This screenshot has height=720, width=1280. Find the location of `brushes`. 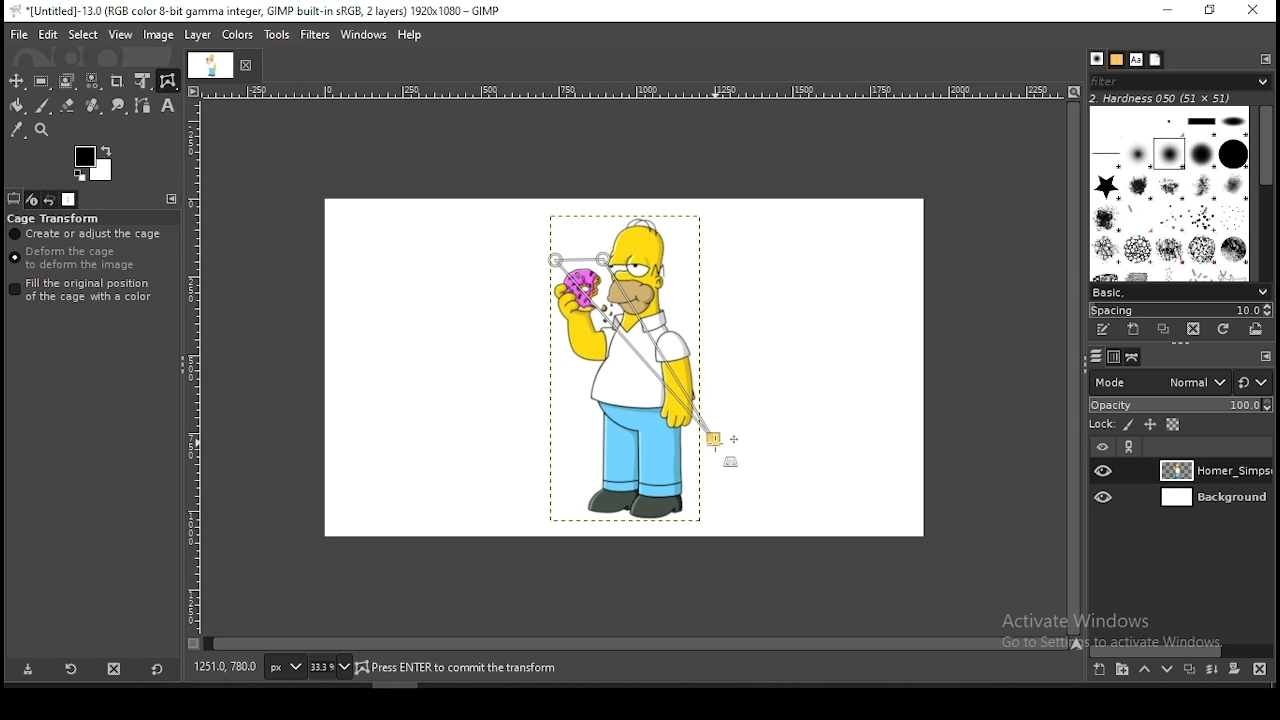

brushes is located at coordinates (1097, 60).